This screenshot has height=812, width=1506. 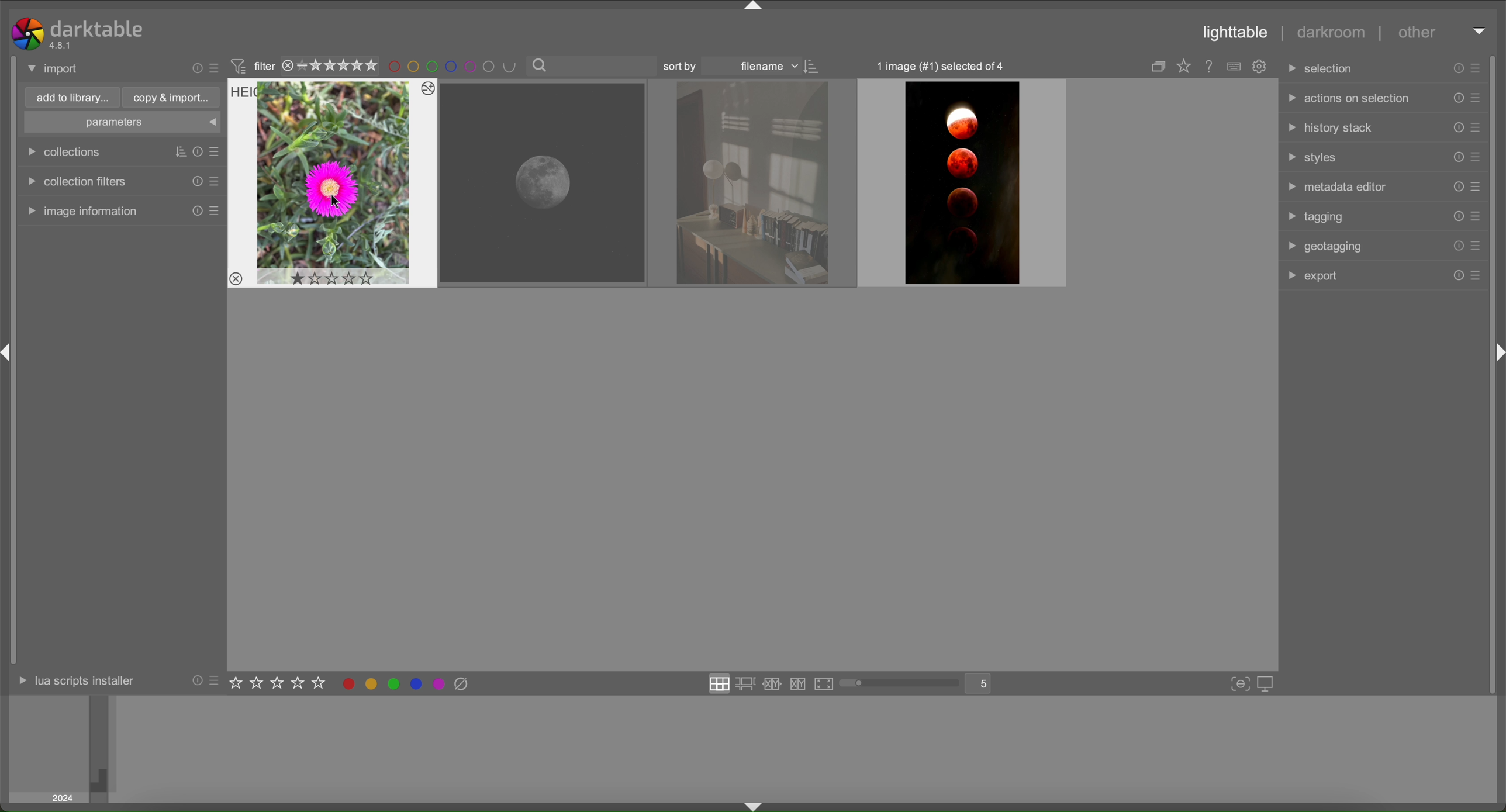 What do you see at coordinates (1335, 185) in the screenshot?
I see `metadata editor tab` at bounding box center [1335, 185].